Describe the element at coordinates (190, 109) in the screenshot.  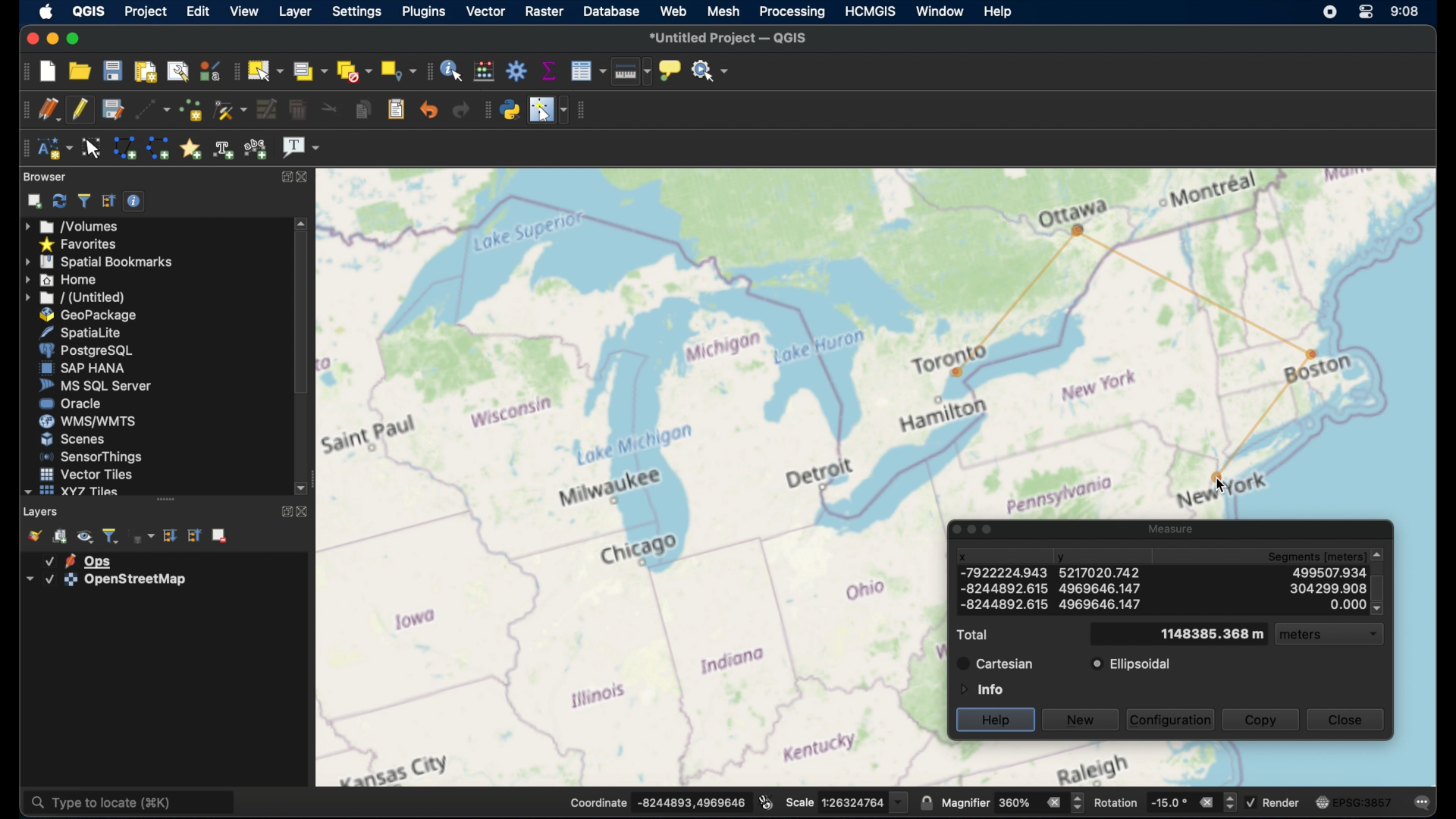
I see `add point features` at that location.